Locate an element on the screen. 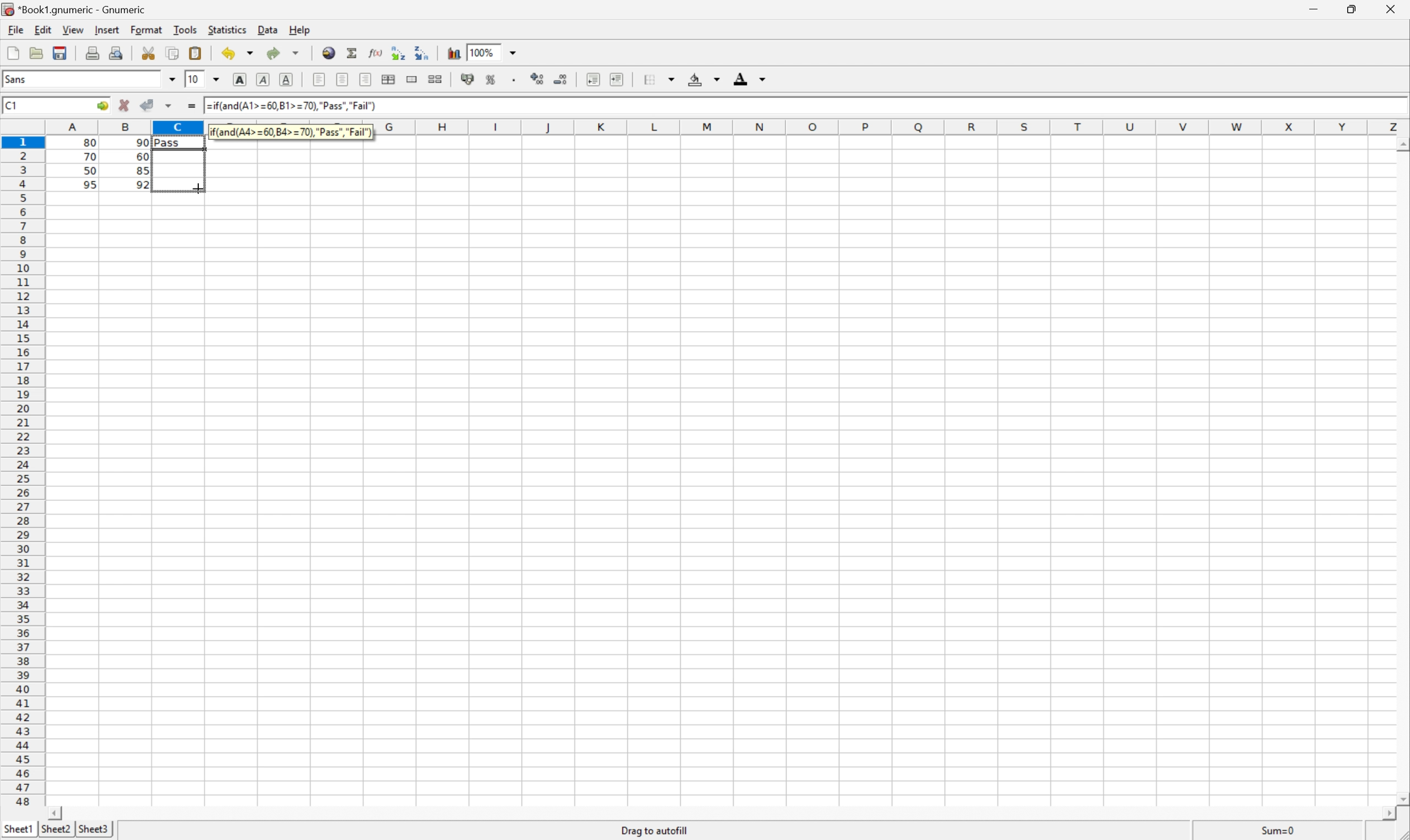 The width and height of the screenshot is (1410, 840). Paste the clipboard is located at coordinates (196, 54).